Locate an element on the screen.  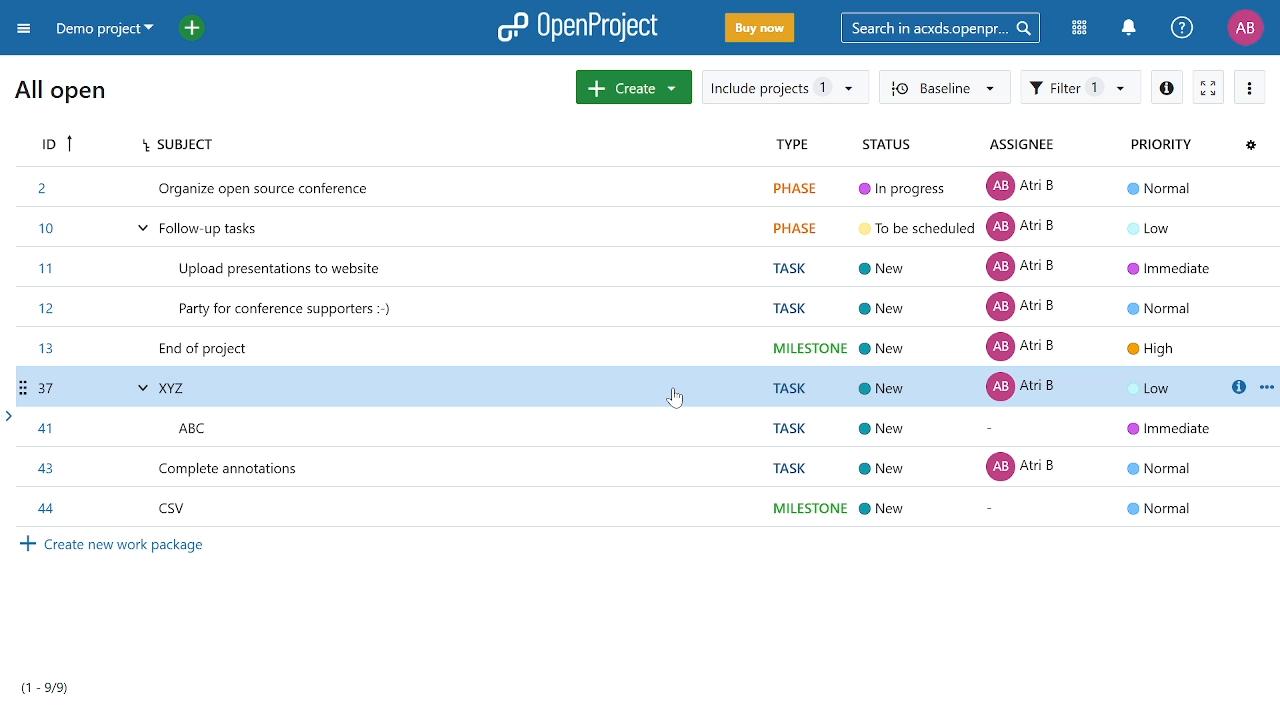
Filter is located at coordinates (1081, 87).